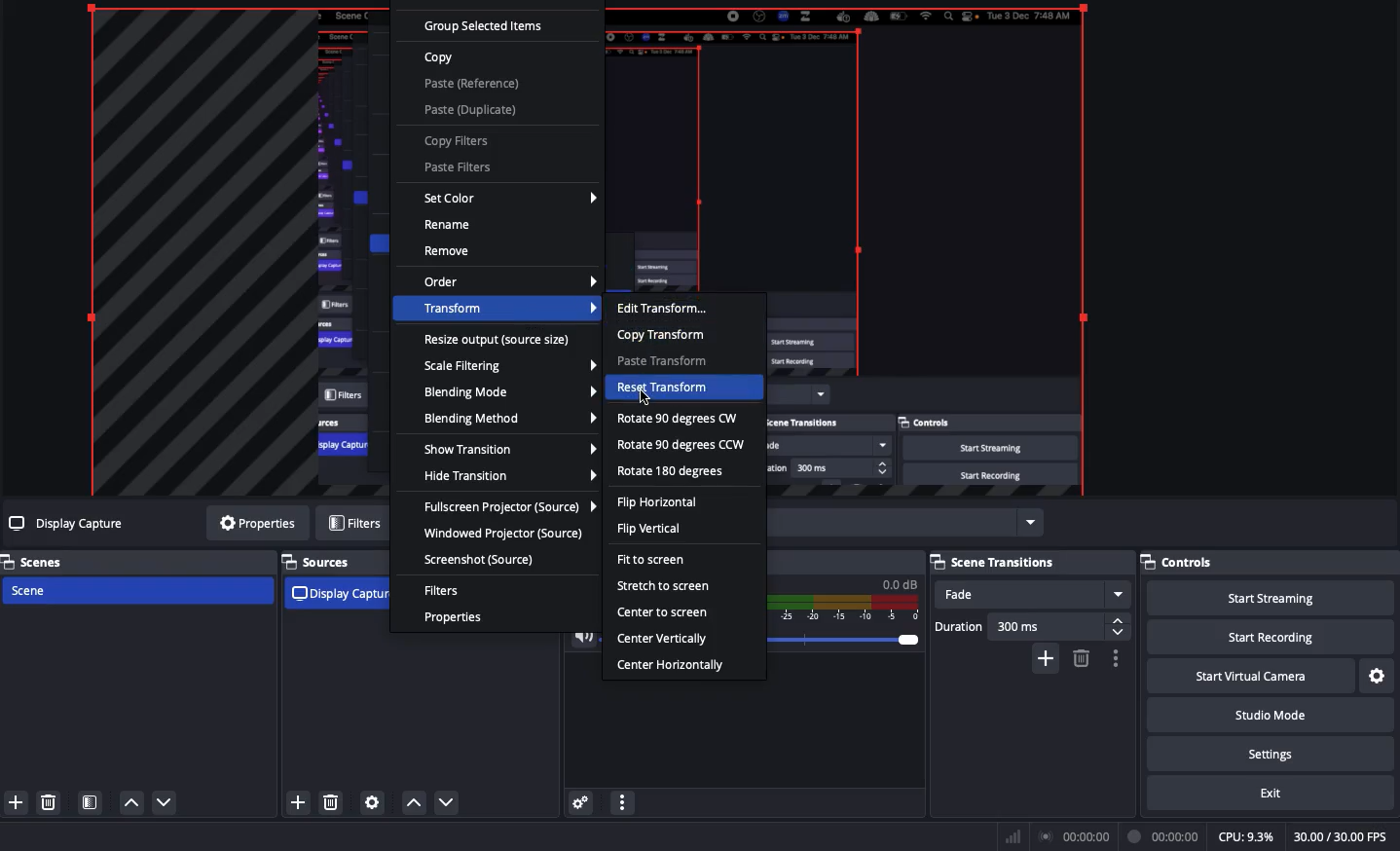 The height and width of the screenshot is (851, 1400). What do you see at coordinates (1267, 637) in the screenshot?
I see `Start recording` at bounding box center [1267, 637].